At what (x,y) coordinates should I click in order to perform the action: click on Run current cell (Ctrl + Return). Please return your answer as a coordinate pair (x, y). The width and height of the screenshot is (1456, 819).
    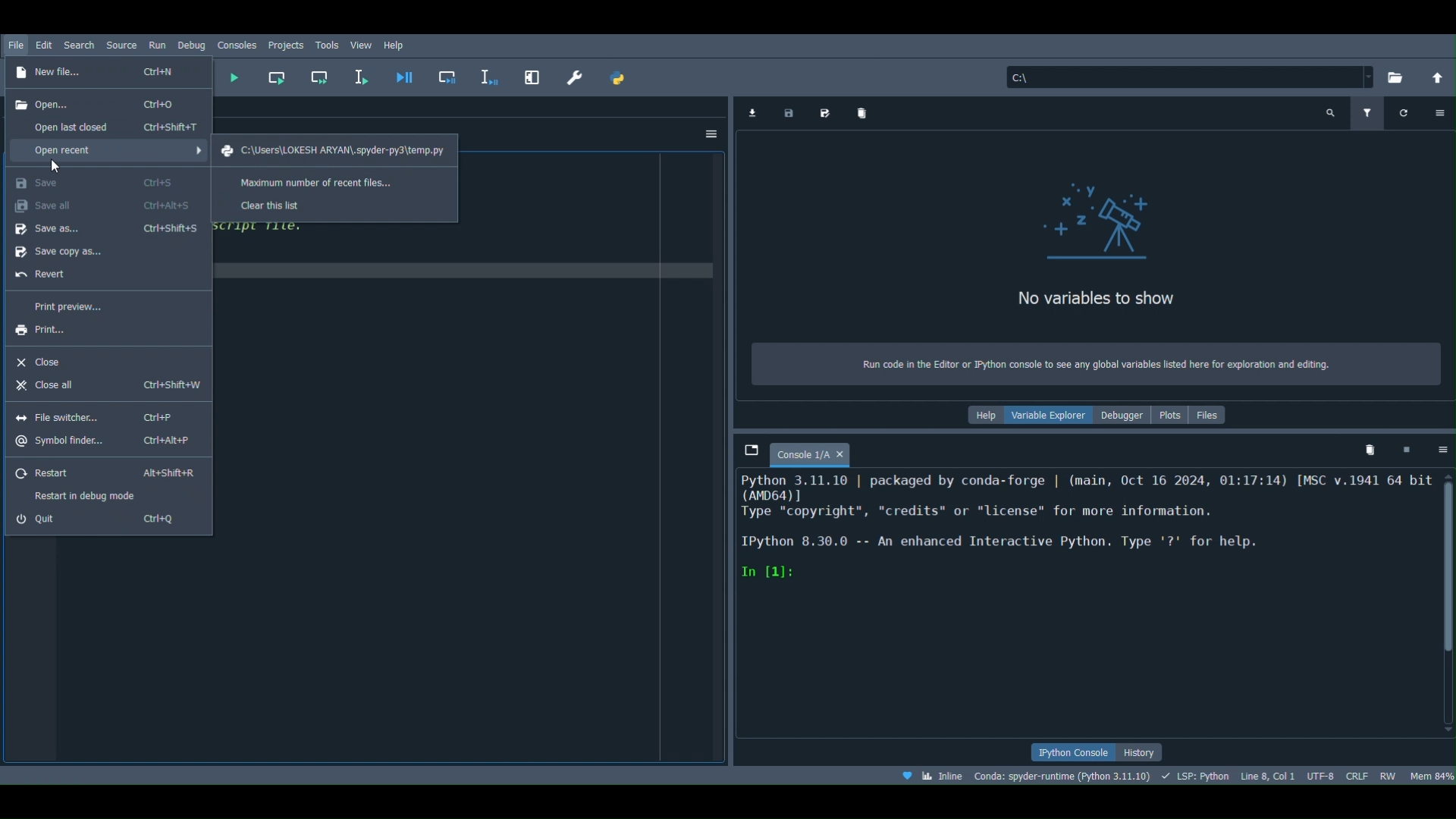
    Looking at the image, I should click on (276, 76).